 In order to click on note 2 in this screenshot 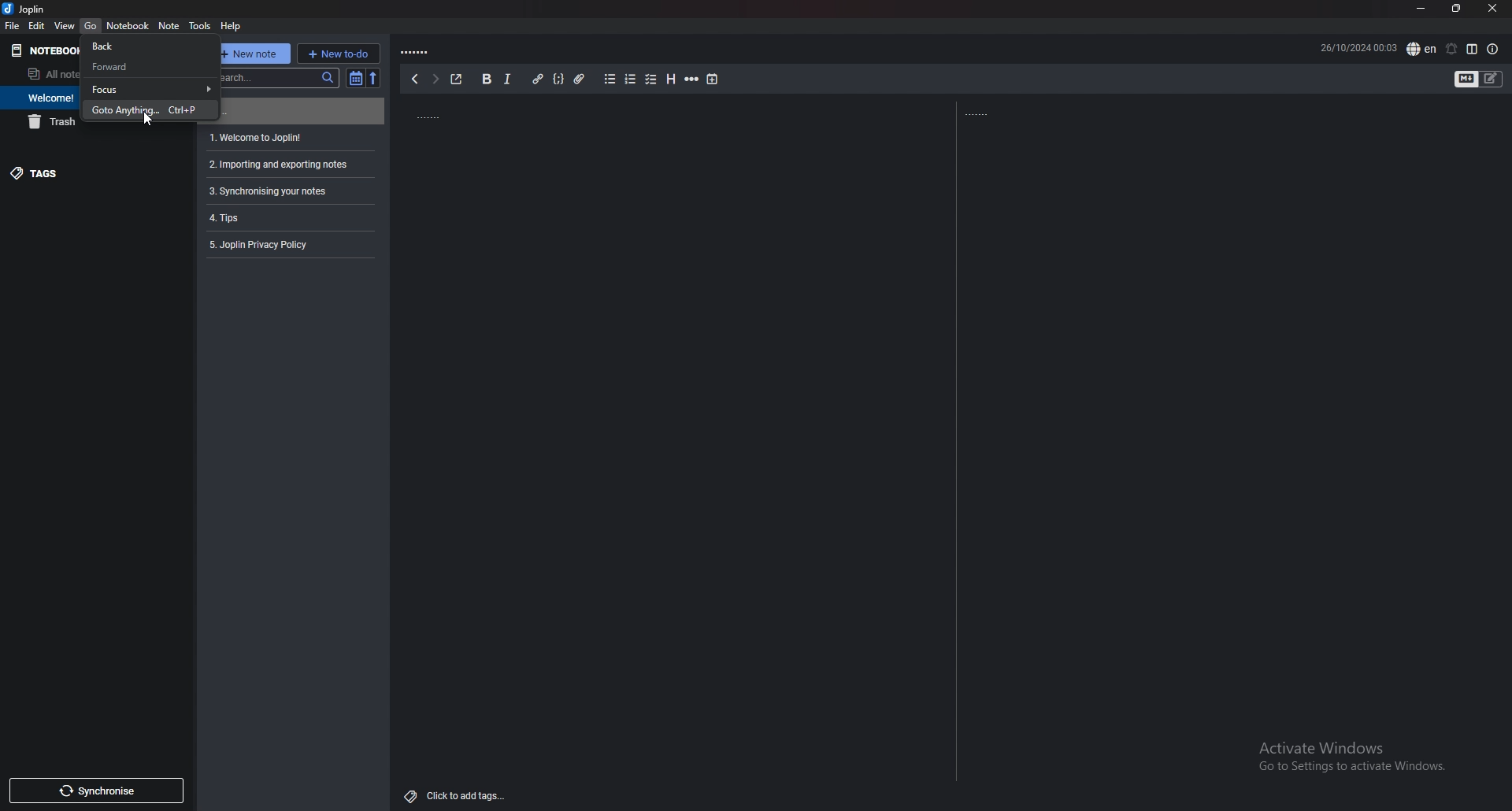, I will do `click(291, 137)`.